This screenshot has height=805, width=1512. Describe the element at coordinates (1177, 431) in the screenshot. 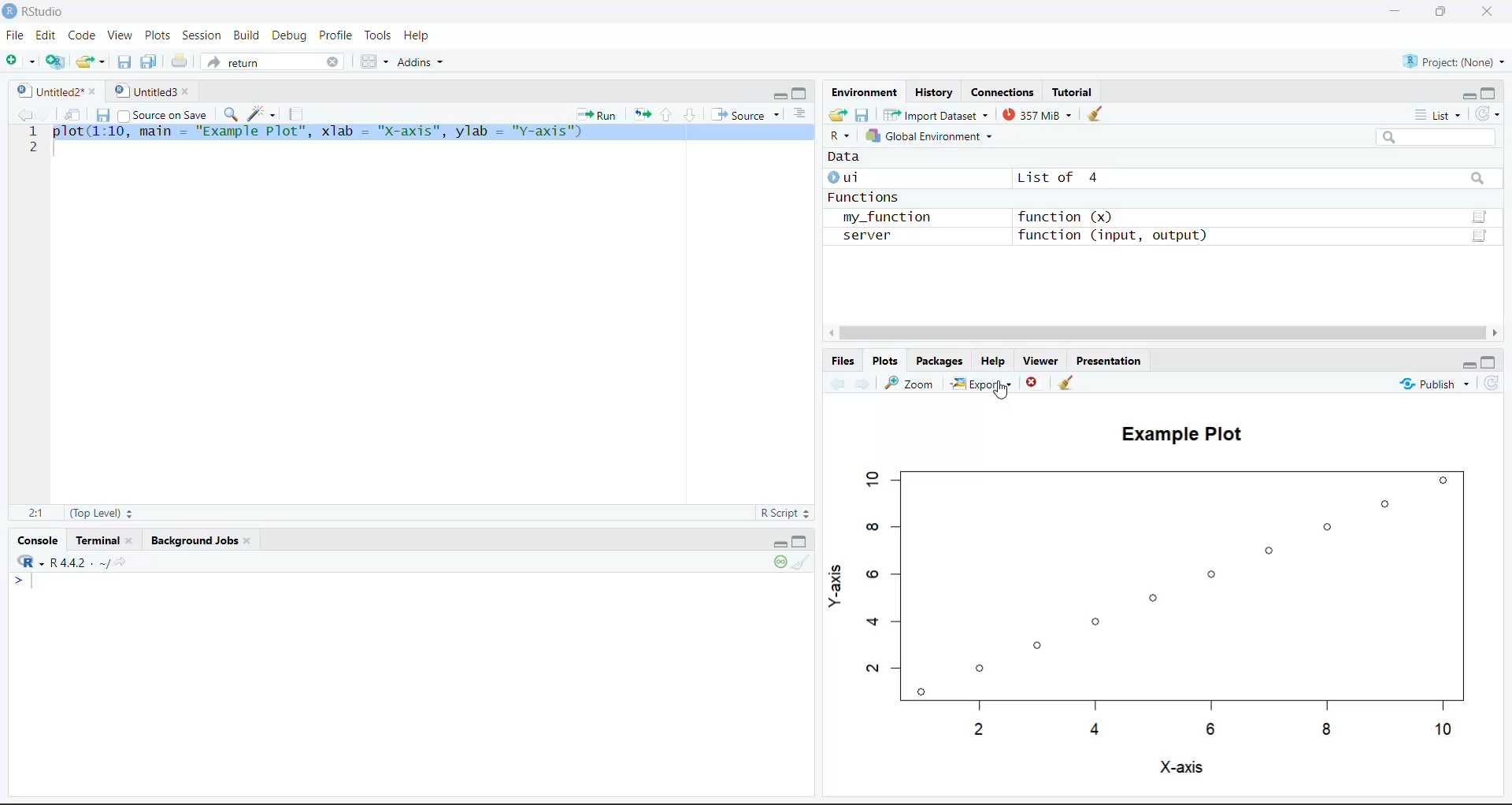

I see `Example Plot` at that location.